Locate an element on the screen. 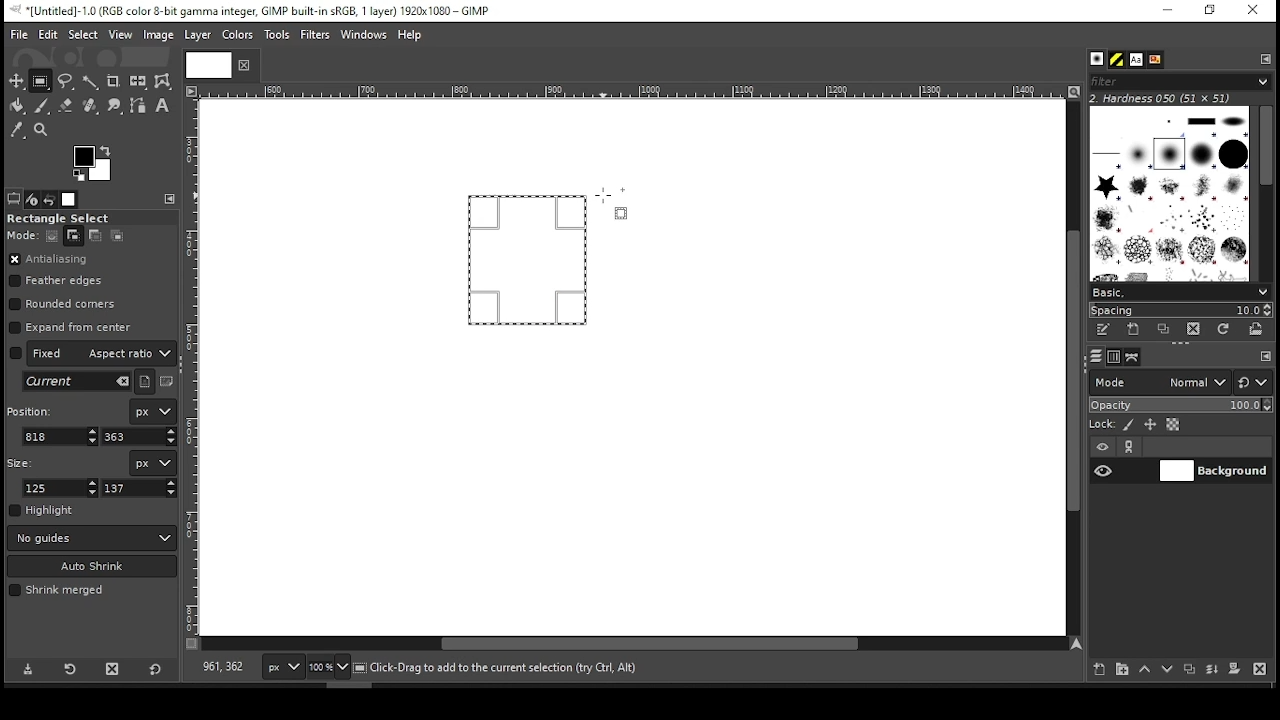 Image resolution: width=1280 pixels, height=720 pixels. rectangular selection tool is located at coordinates (43, 81).